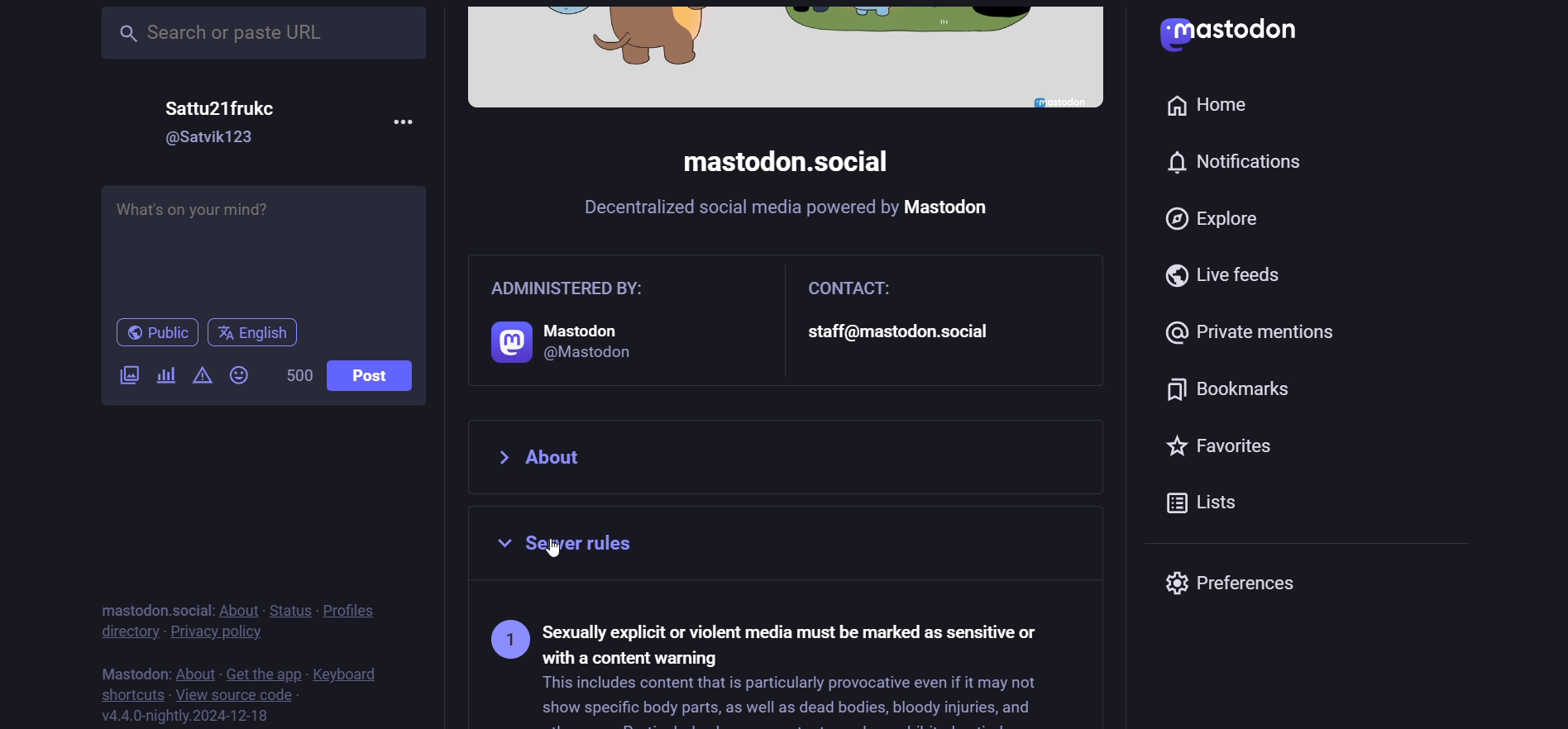  I want to click on pointer, so click(552, 549).